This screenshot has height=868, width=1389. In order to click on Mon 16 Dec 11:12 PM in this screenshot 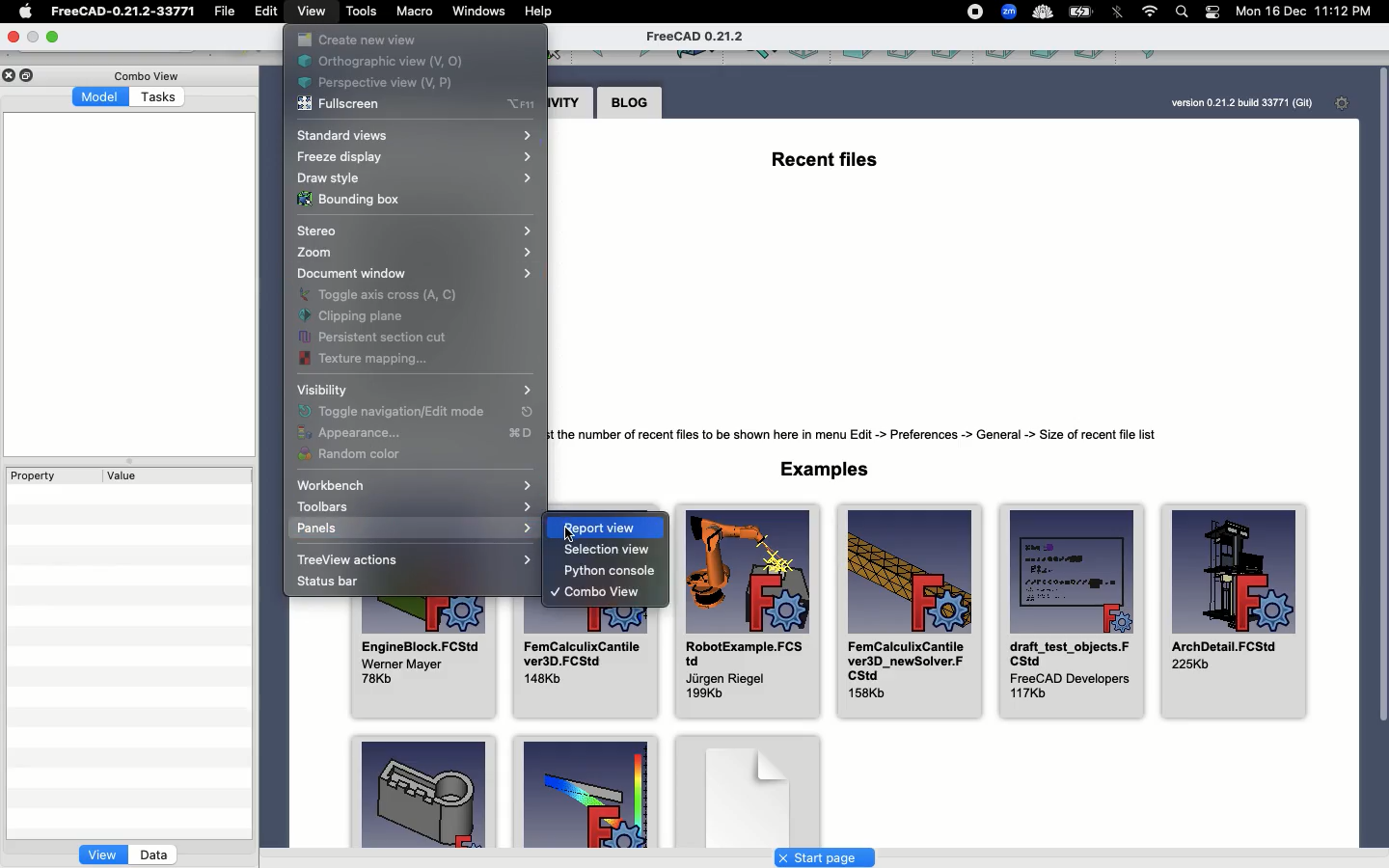, I will do `click(1308, 12)`.